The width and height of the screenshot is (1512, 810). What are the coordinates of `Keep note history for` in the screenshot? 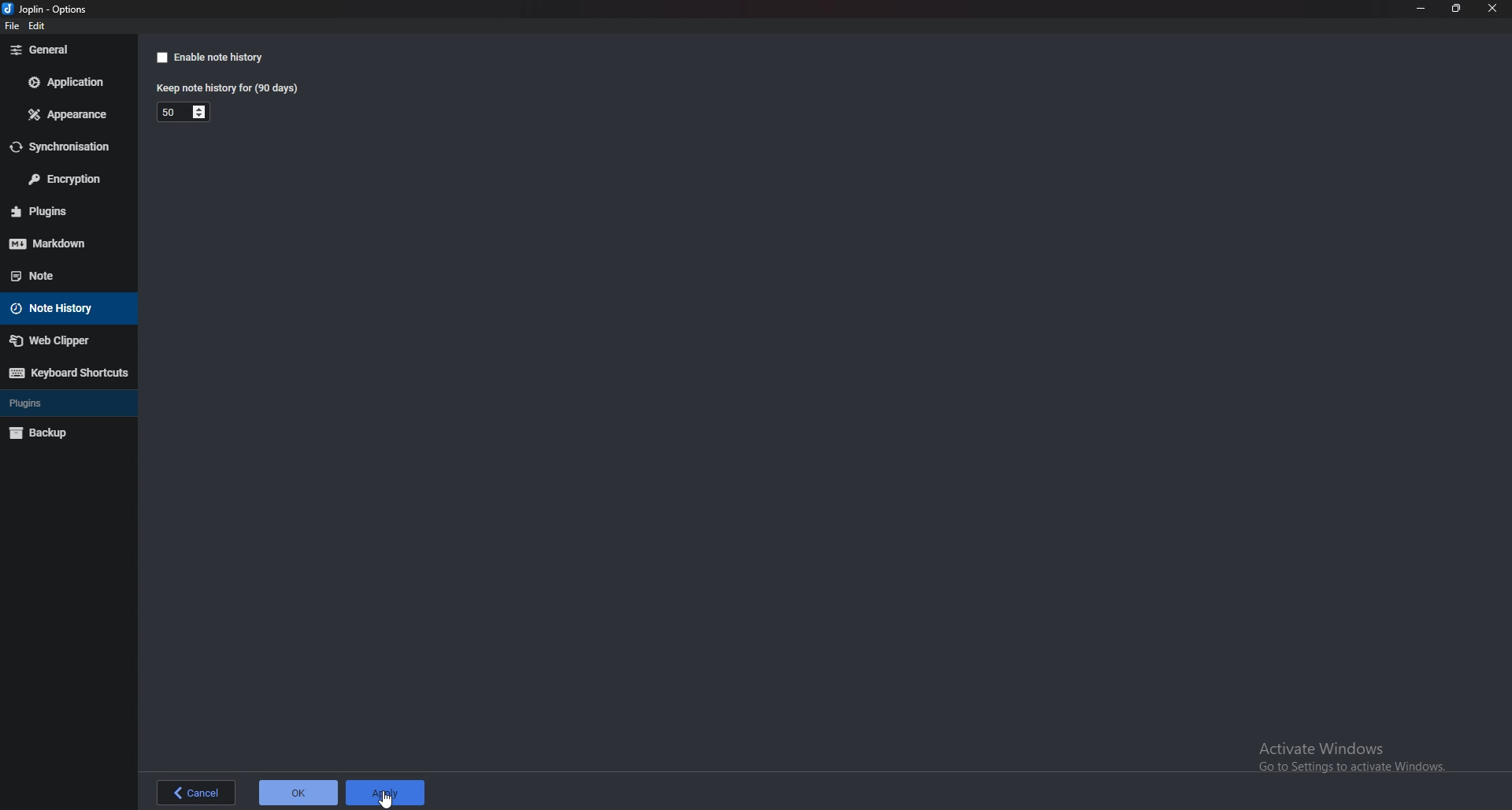 It's located at (225, 89).